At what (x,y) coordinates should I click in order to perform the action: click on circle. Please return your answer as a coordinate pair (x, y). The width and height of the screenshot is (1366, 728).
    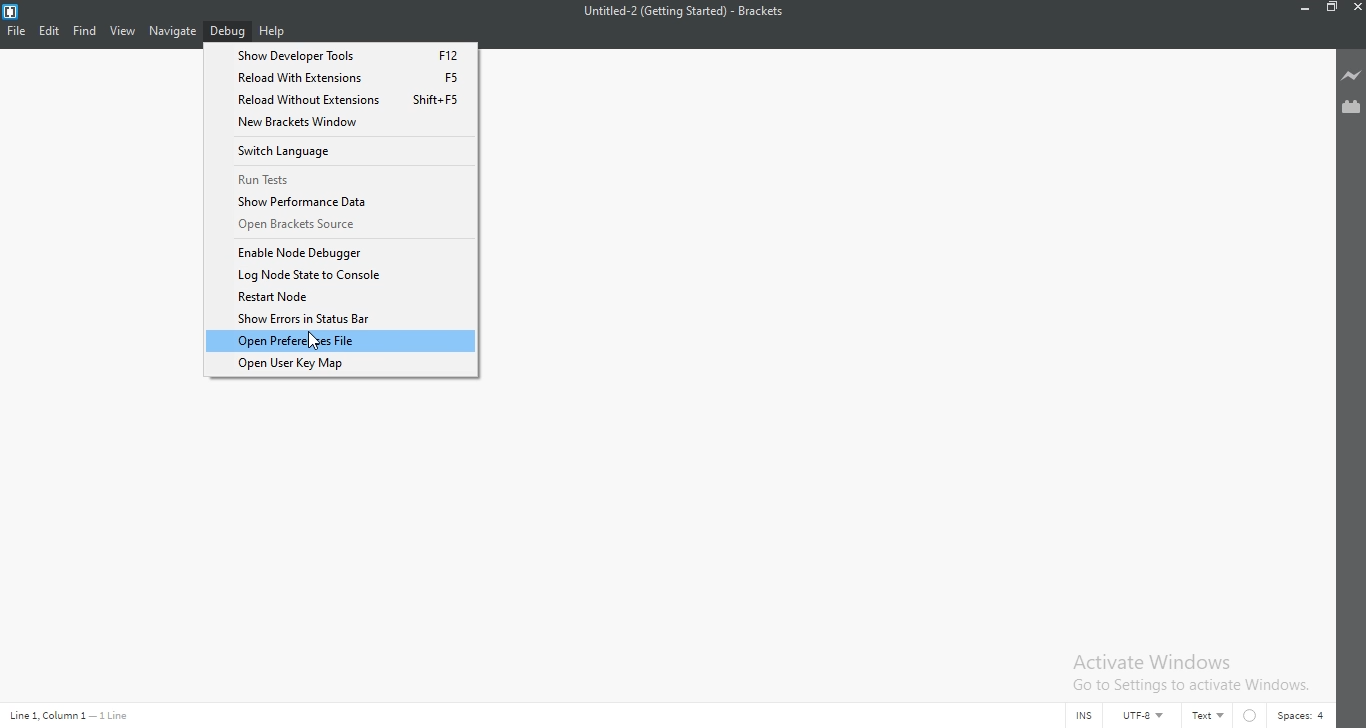
    Looking at the image, I should click on (1253, 714).